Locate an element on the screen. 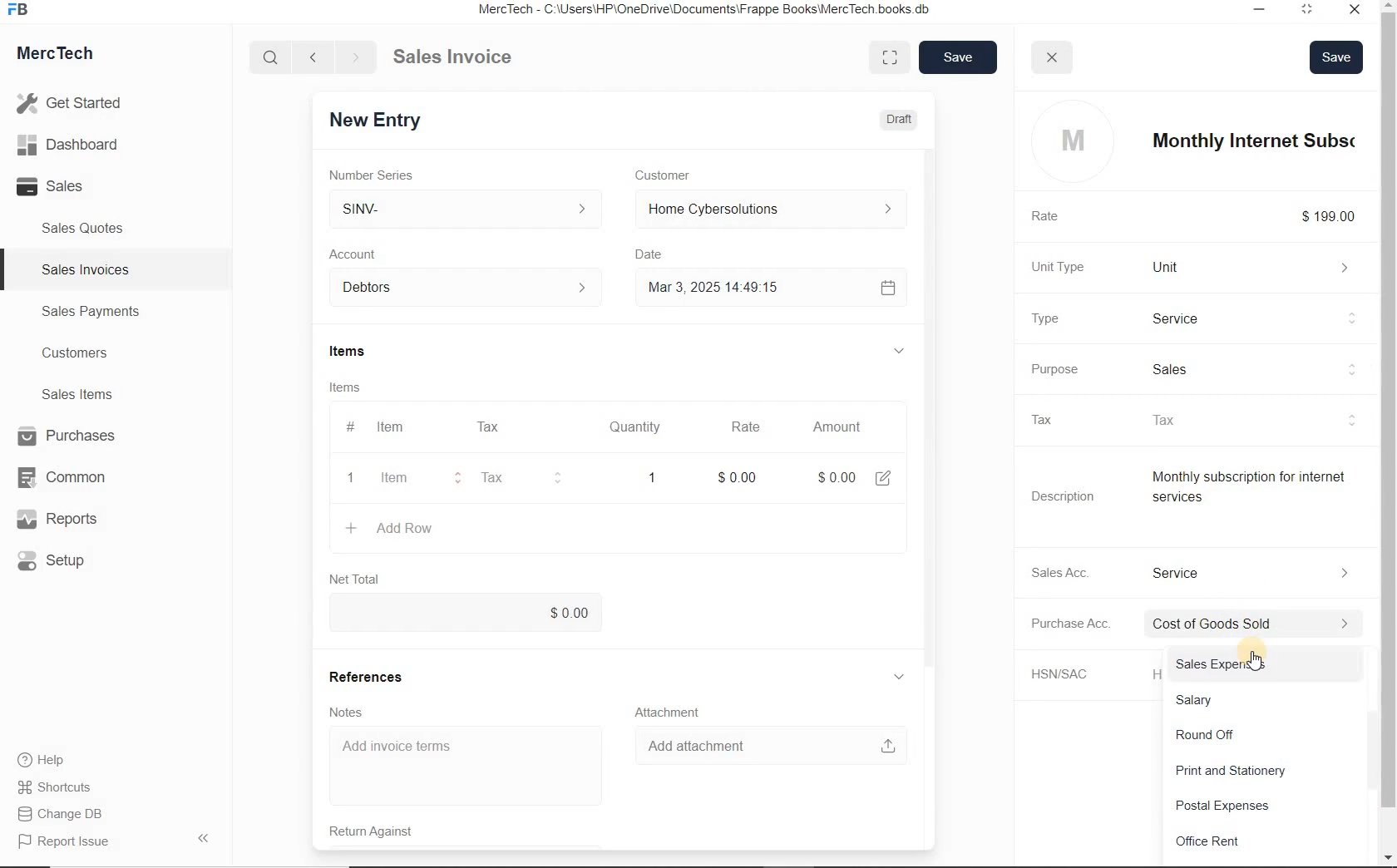 The width and height of the screenshot is (1397, 868). Sales Invoice is located at coordinates (454, 58).